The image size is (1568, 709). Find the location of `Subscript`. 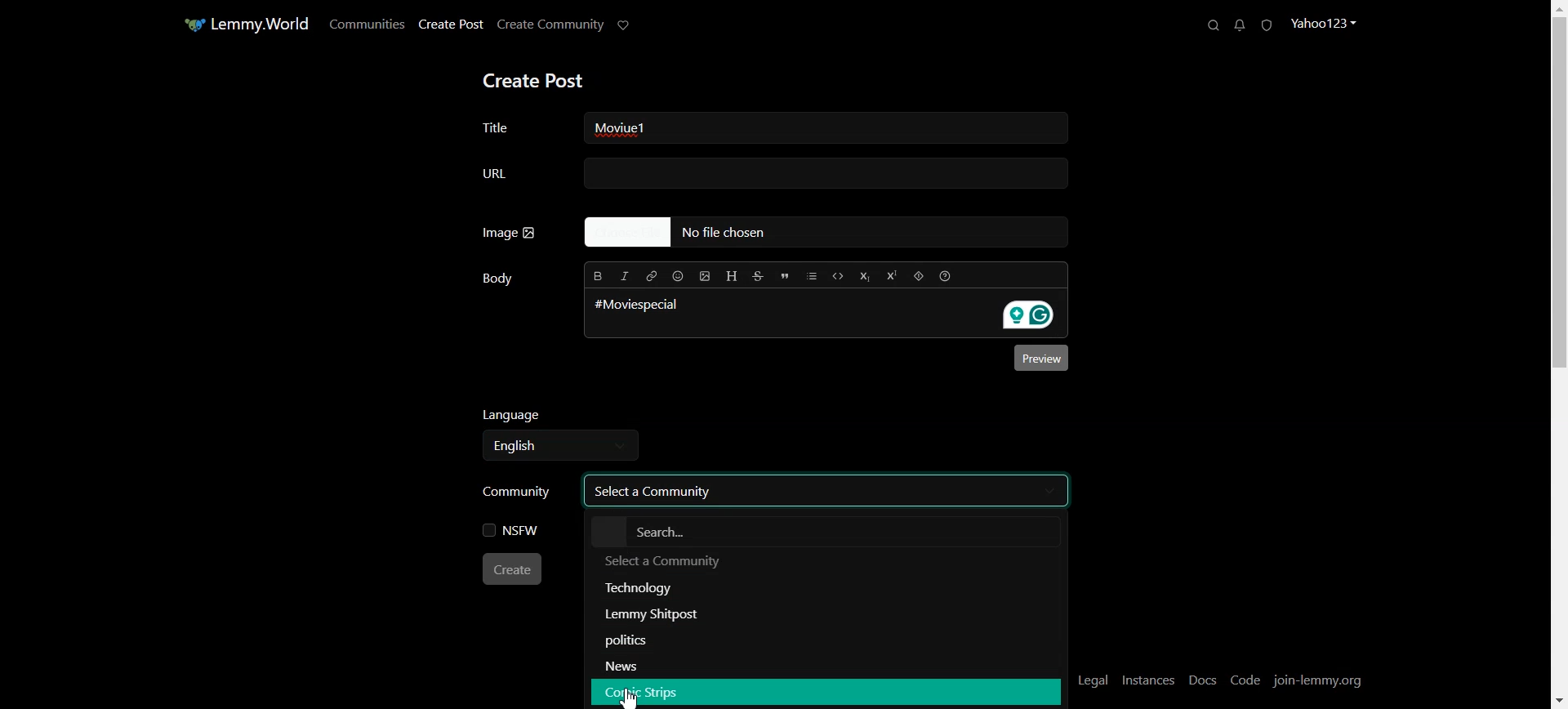

Subscript is located at coordinates (867, 276).